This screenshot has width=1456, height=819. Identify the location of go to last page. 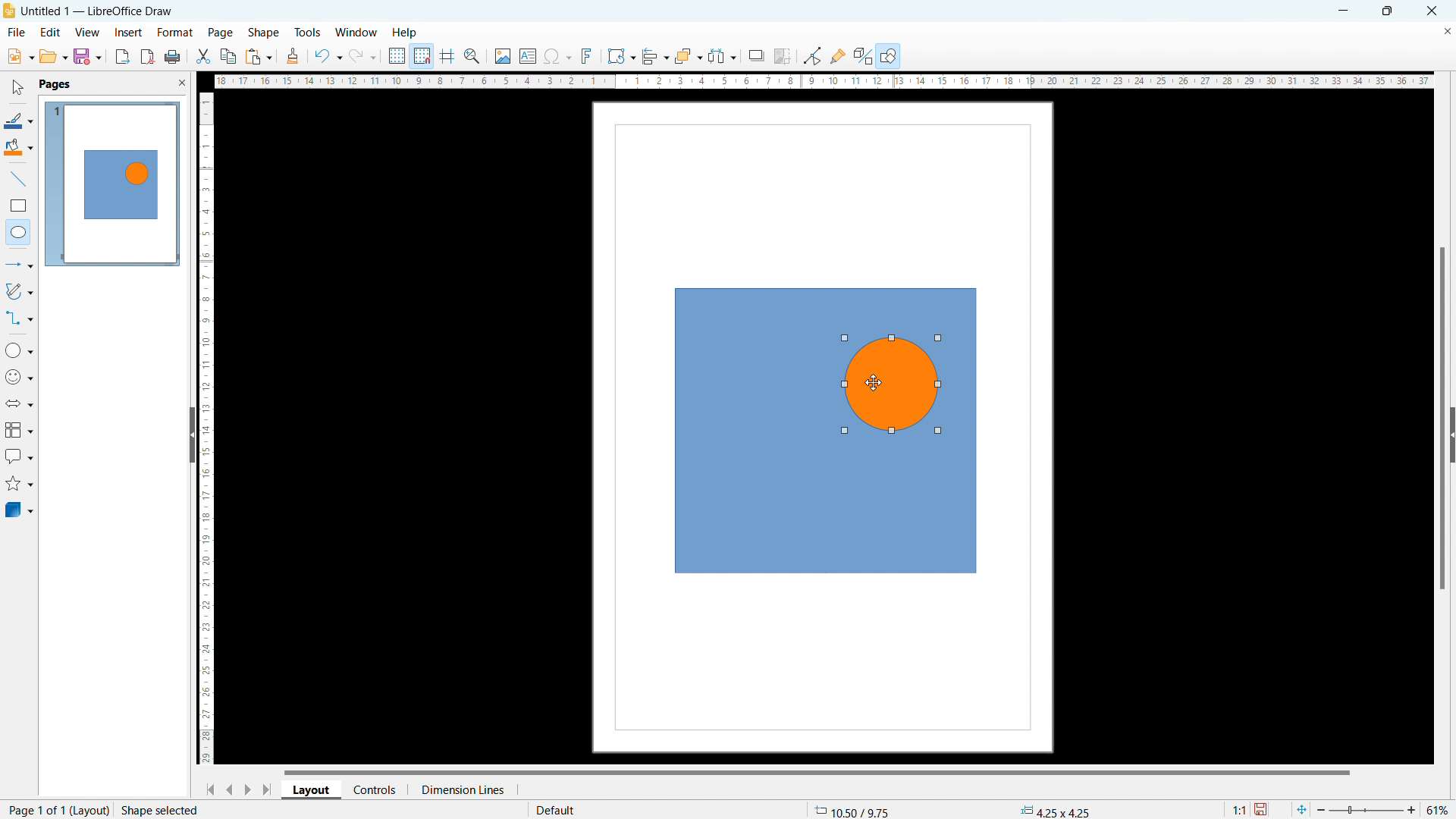
(268, 789).